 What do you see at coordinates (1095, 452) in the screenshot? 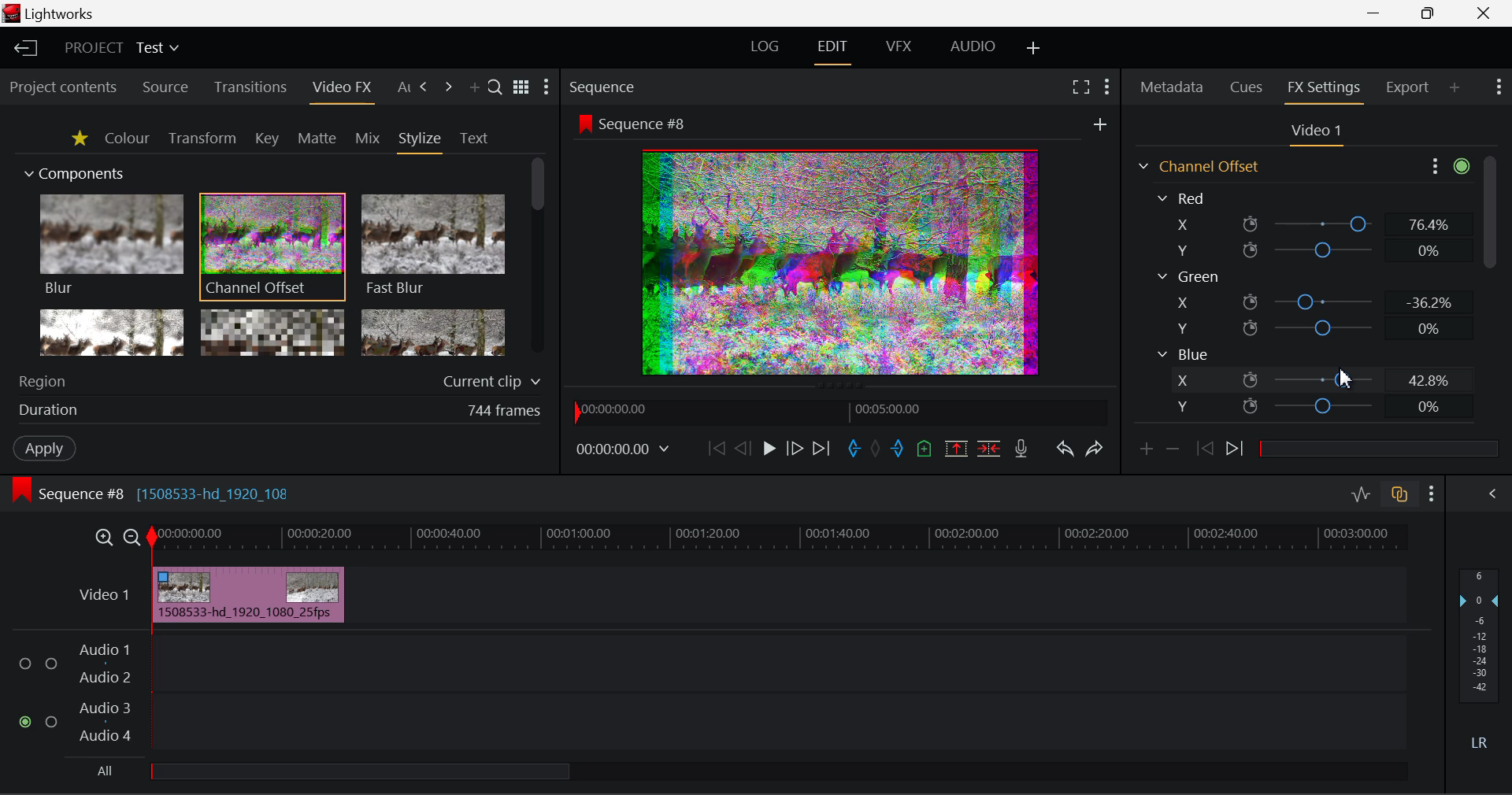
I see `Redo` at bounding box center [1095, 452].